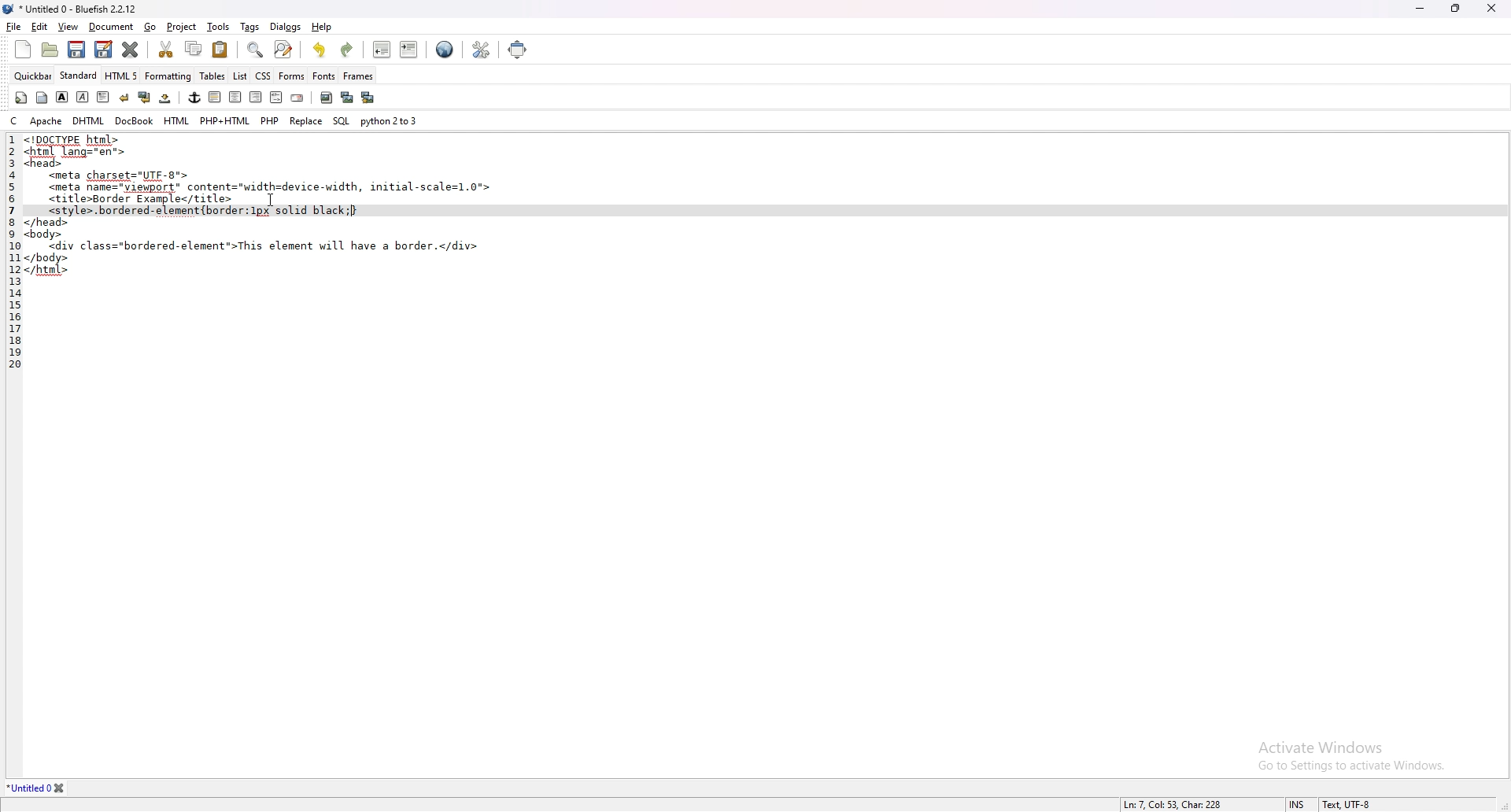 The width and height of the screenshot is (1511, 812). What do you see at coordinates (68, 27) in the screenshot?
I see `view` at bounding box center [68, 27].